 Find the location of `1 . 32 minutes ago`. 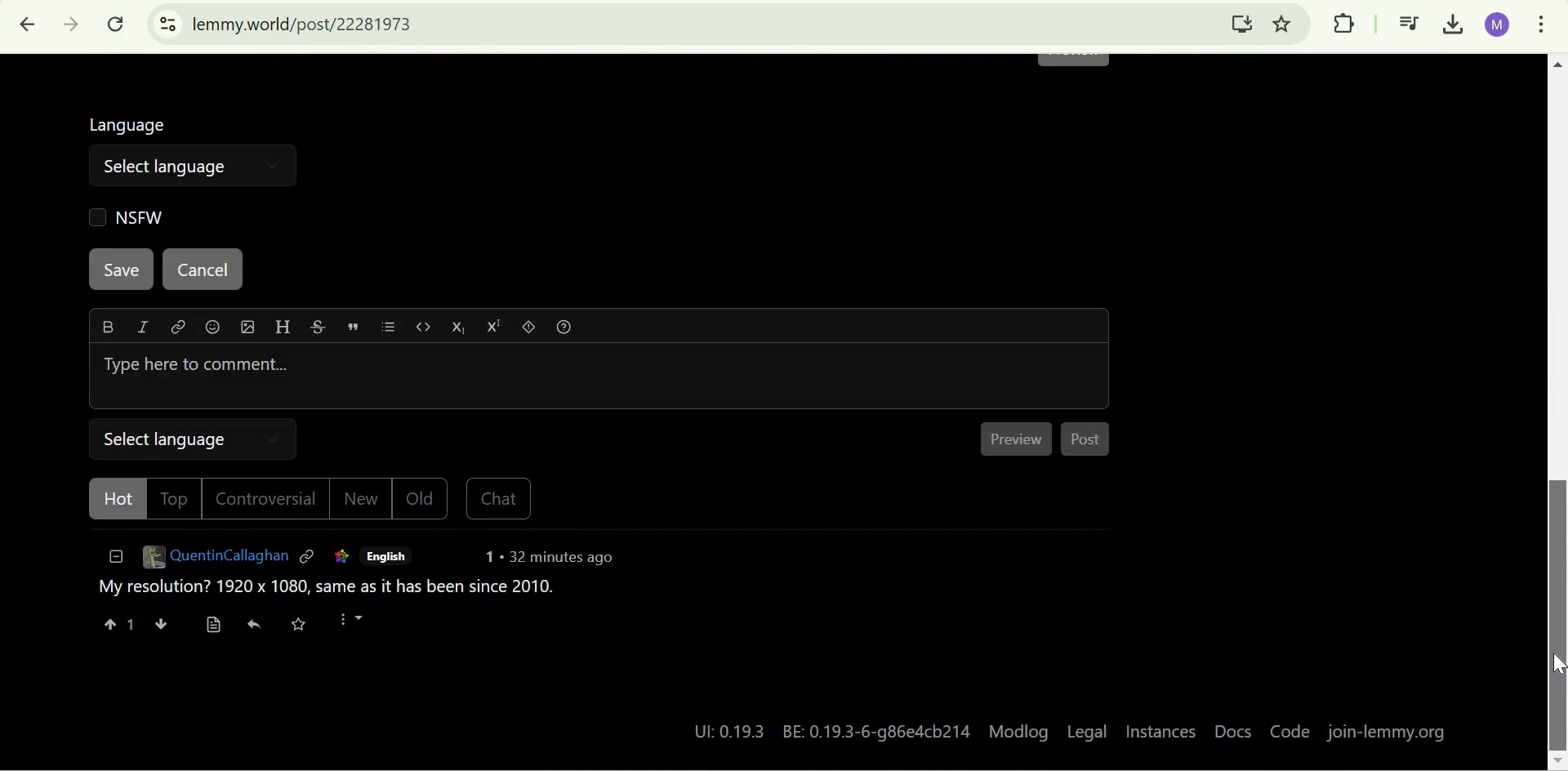

1 . 32 minutes ago is located at coordinates (550, 560).